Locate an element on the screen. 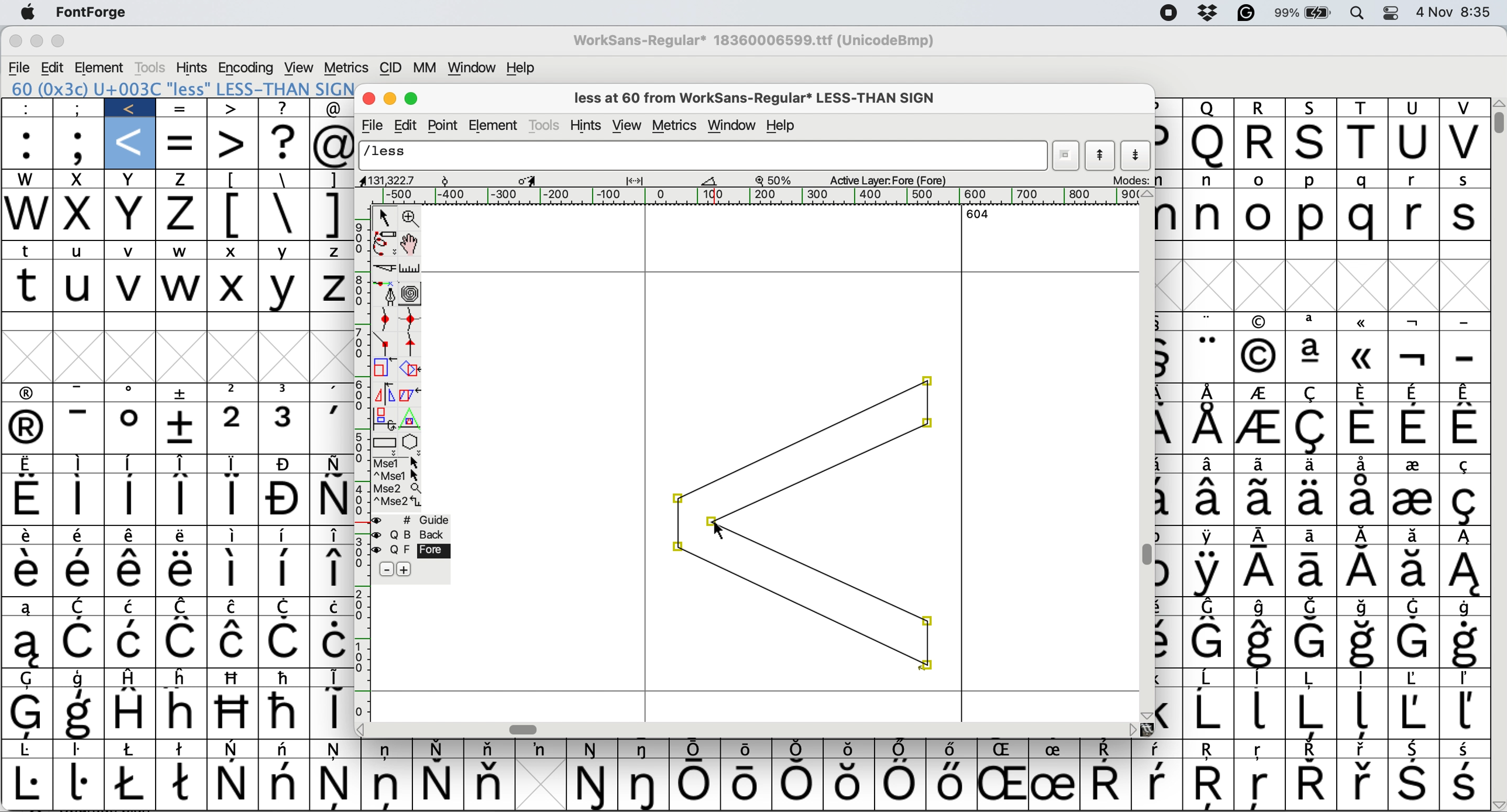 The width and height of the screenshot is (1507, 812). - is located at coordinates (1465, 357).